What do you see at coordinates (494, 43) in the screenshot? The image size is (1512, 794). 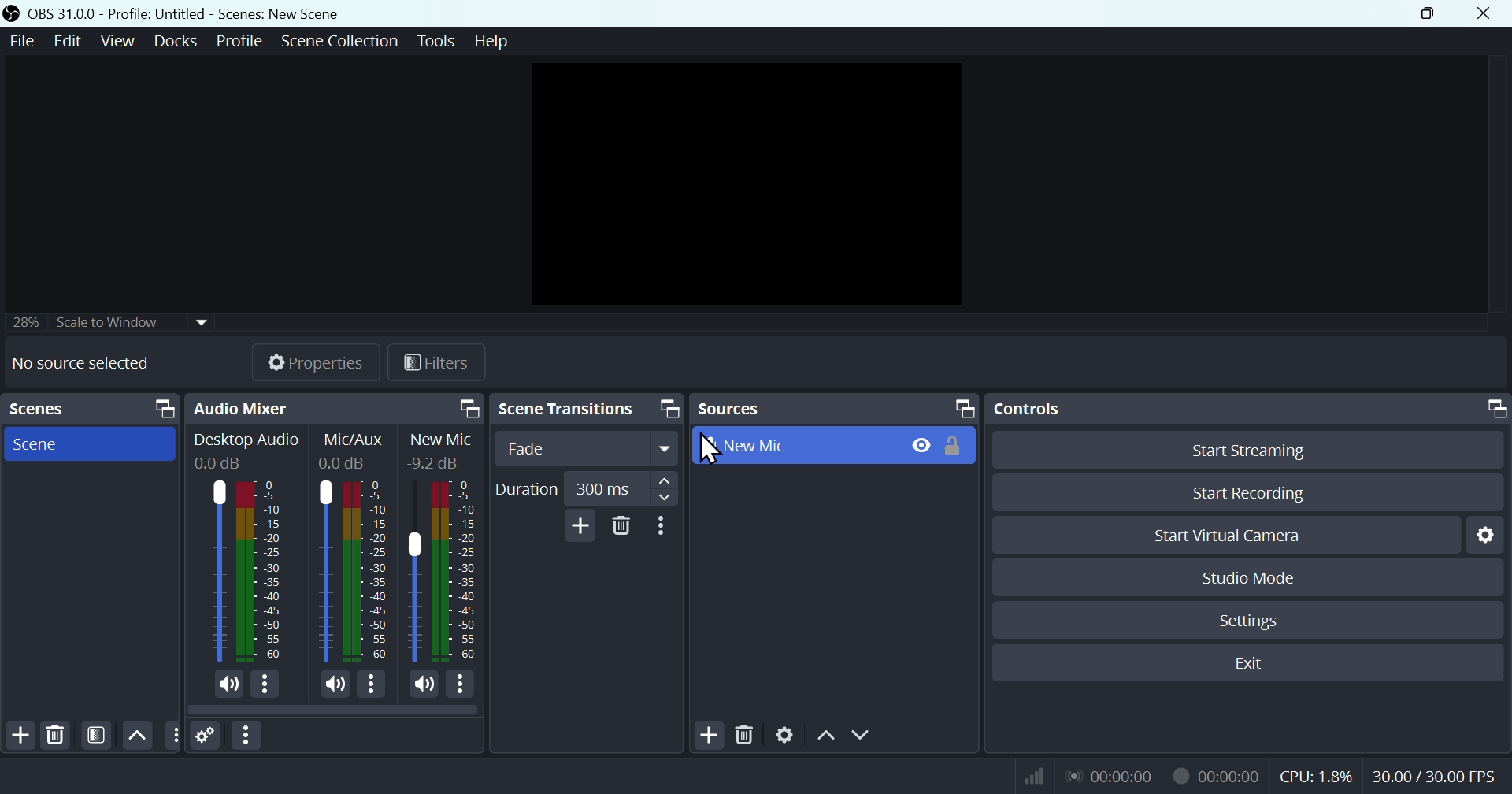 I see `Help` at bounding box center [494, 43].